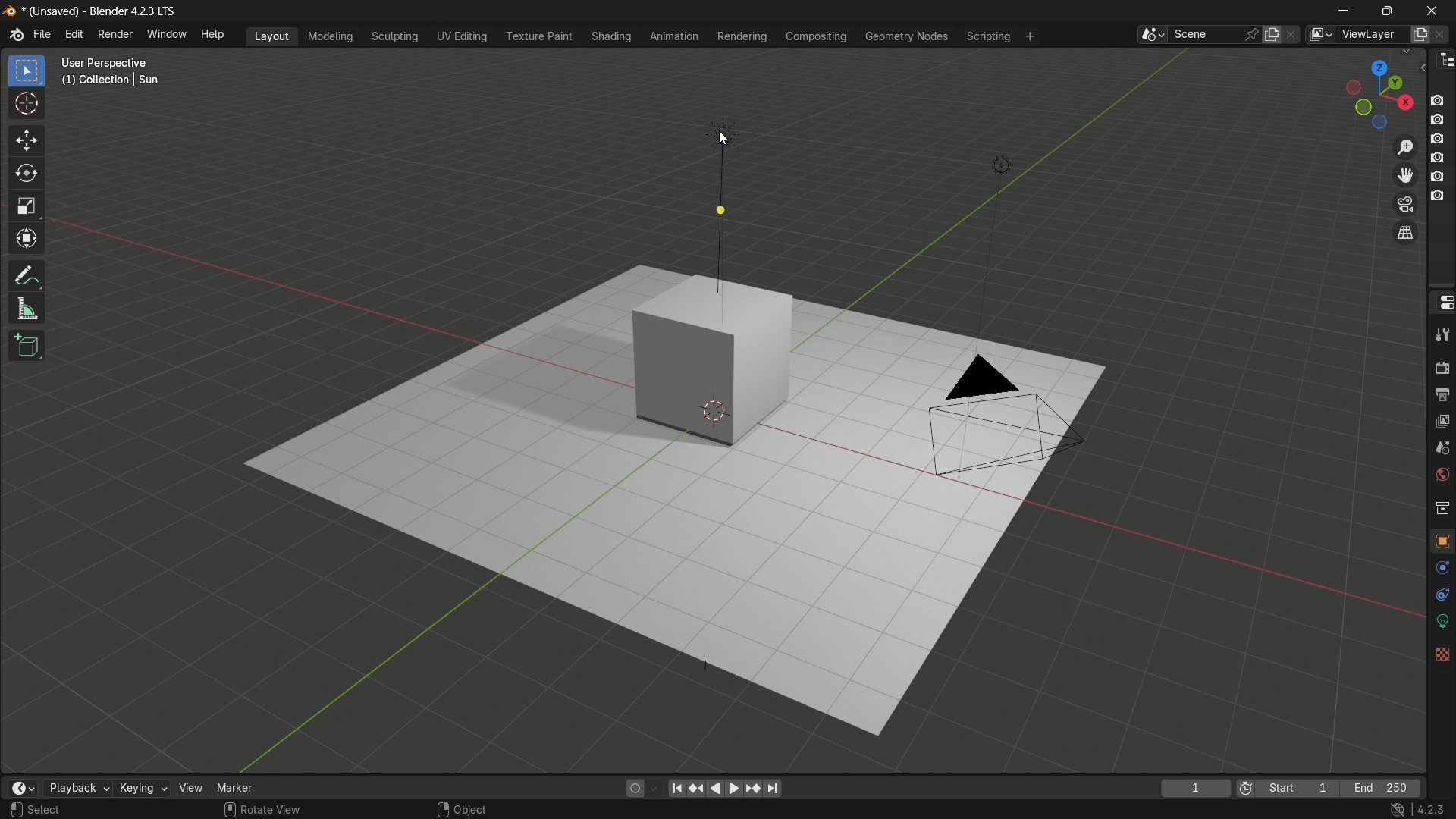  Describe the element at coordinates (1441, 594) in the screenshot. I see `constraints` at that location.